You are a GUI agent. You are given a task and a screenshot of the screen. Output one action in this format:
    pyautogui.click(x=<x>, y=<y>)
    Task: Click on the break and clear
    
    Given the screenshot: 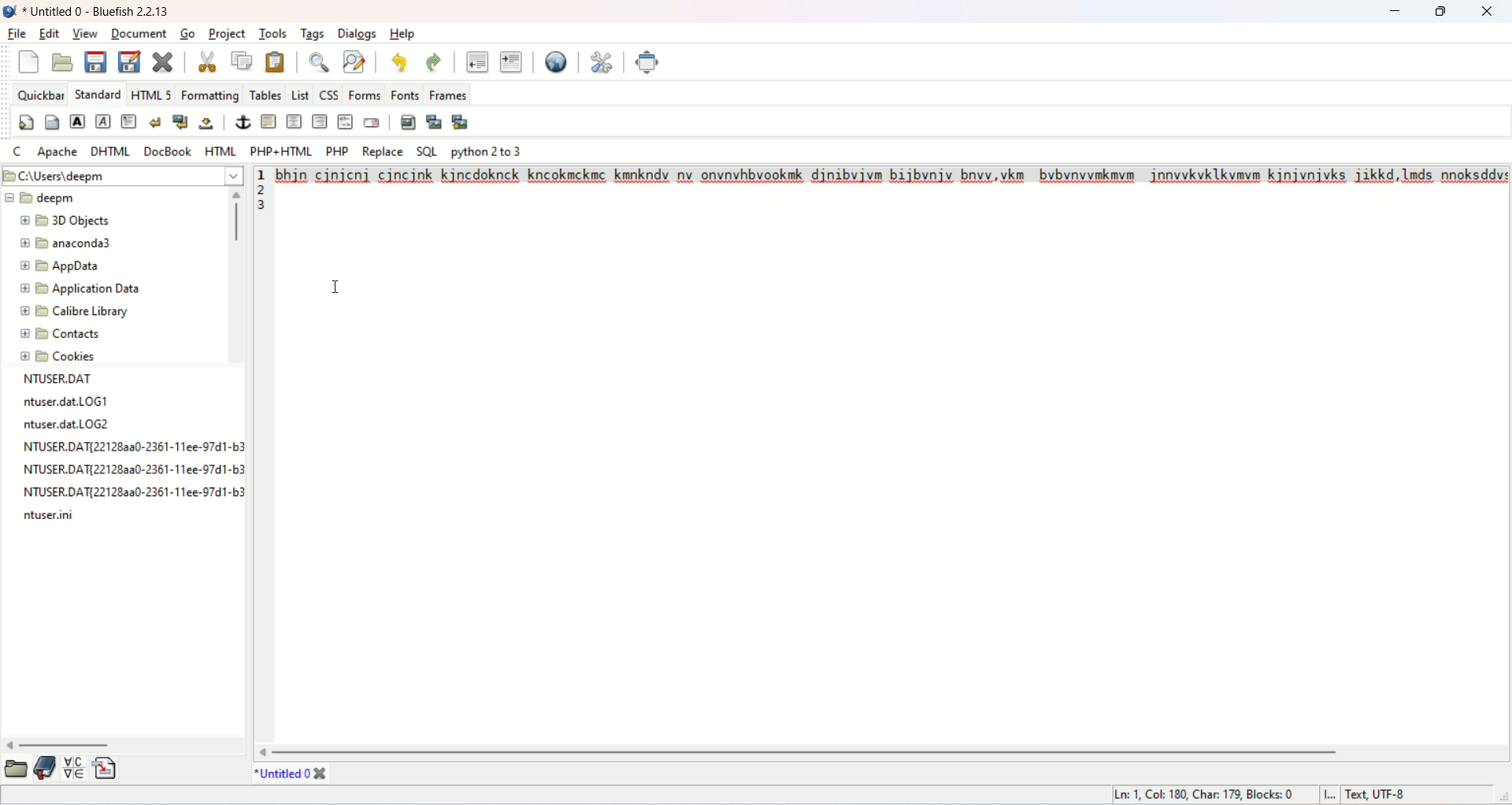 What is the action you would take?
    pyautogui.click(x=180, y=122)
    